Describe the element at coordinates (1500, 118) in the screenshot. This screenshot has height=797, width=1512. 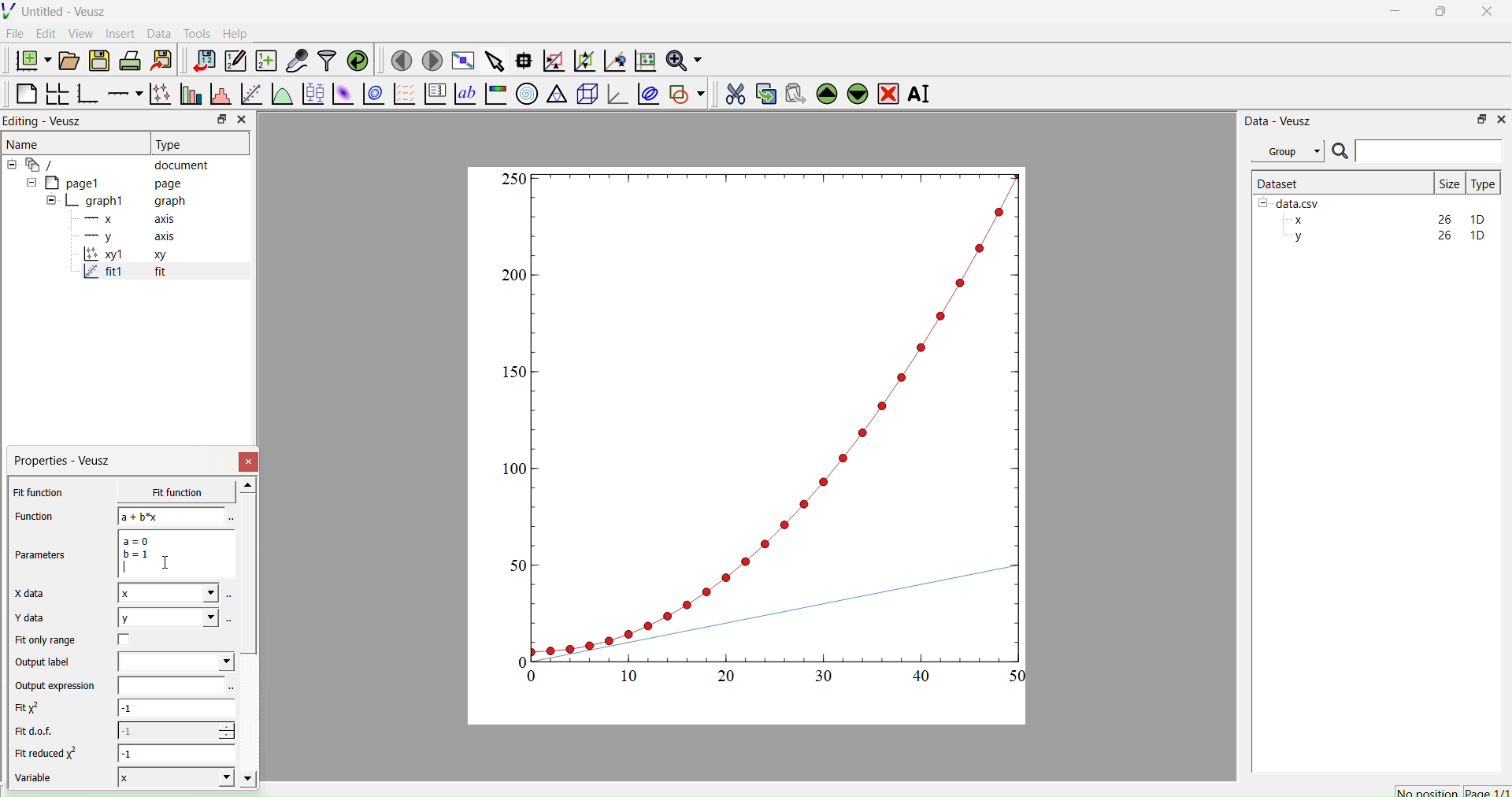
I see `Close` at that location.